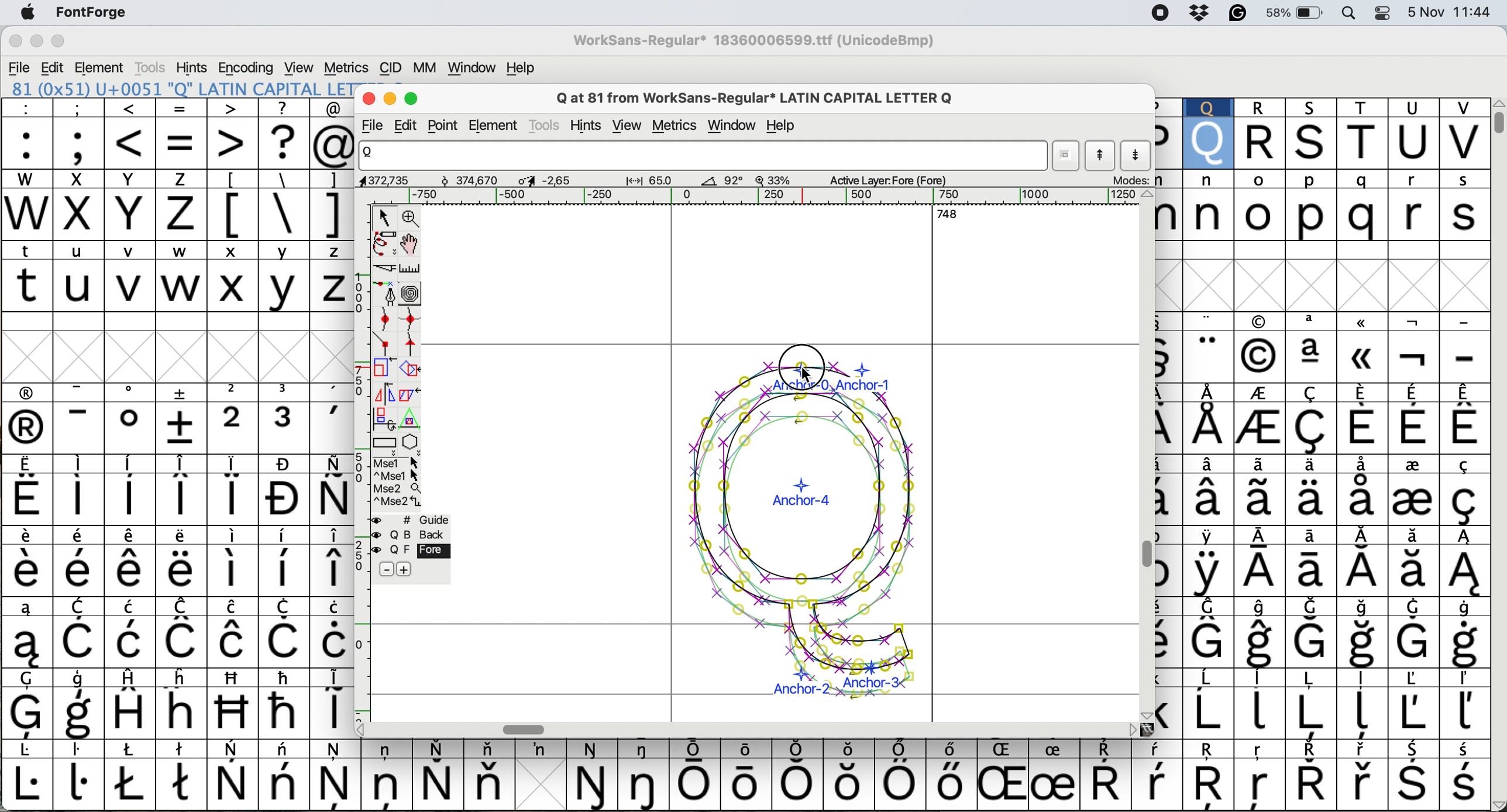  Describe the element at coordinates (386, 345) in the screenshot. I see `add a comer point` at that location.